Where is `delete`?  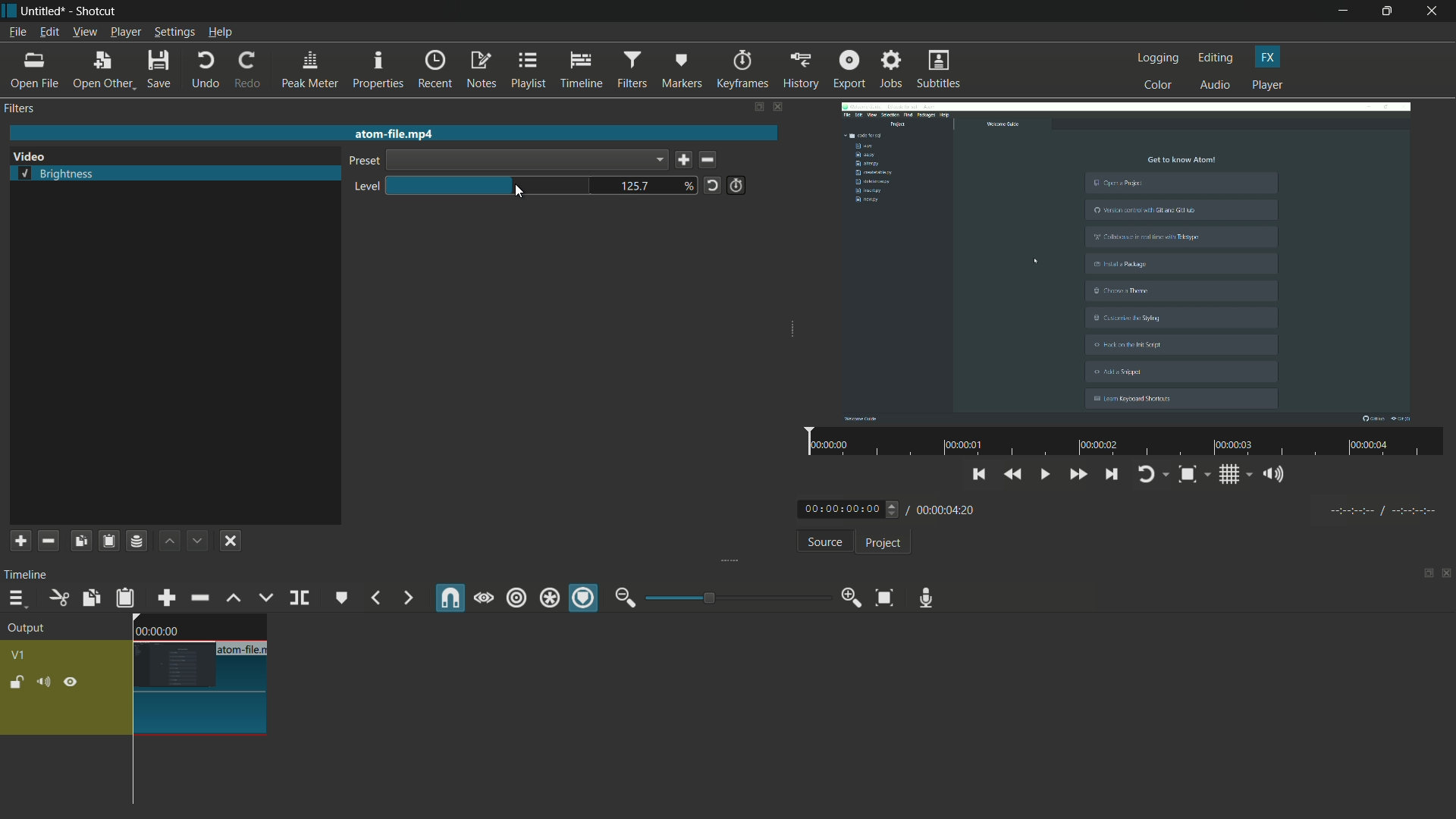
delete is located at coordinates (711, 161).